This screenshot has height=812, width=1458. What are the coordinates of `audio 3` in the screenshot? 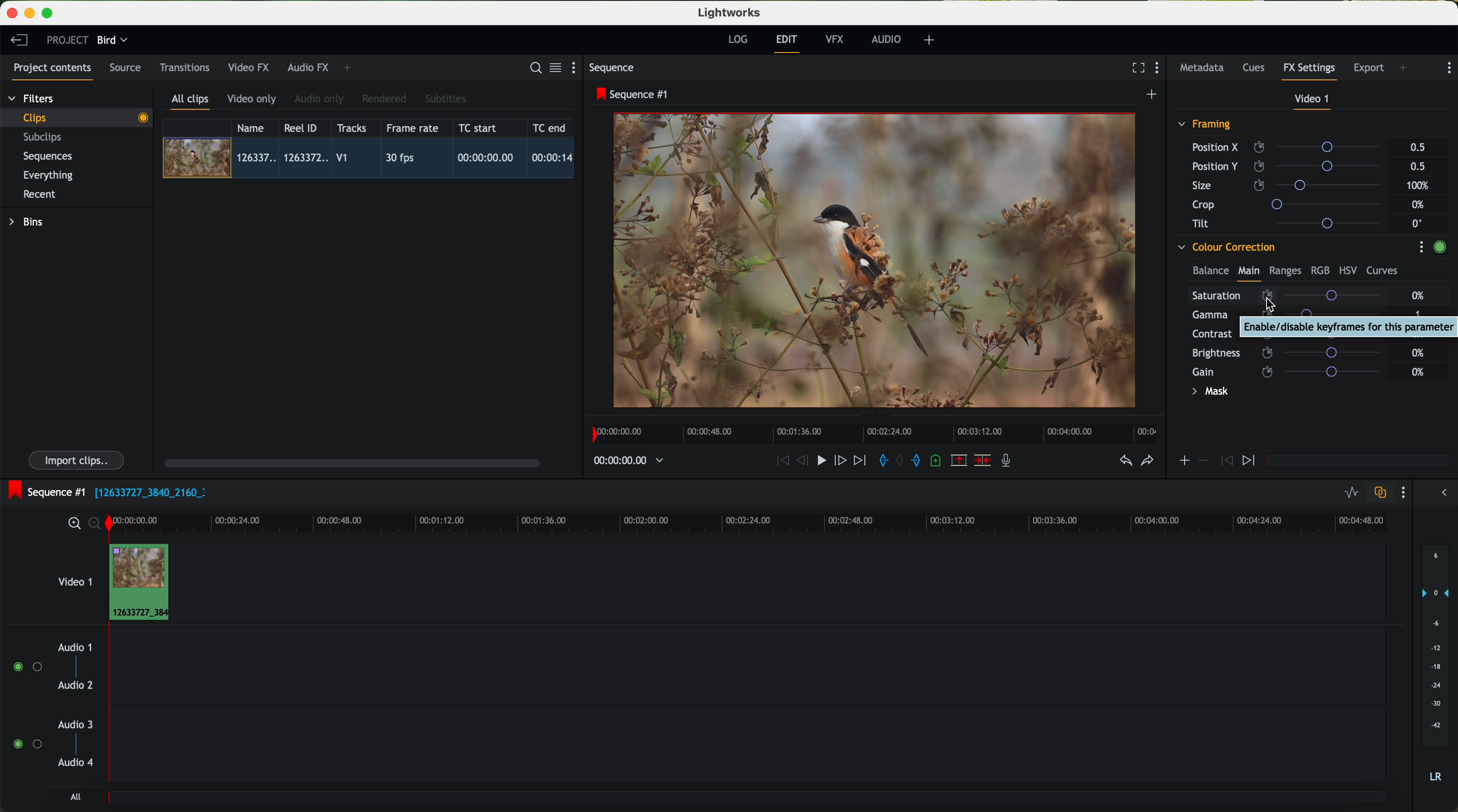 It's located at (70, 724).